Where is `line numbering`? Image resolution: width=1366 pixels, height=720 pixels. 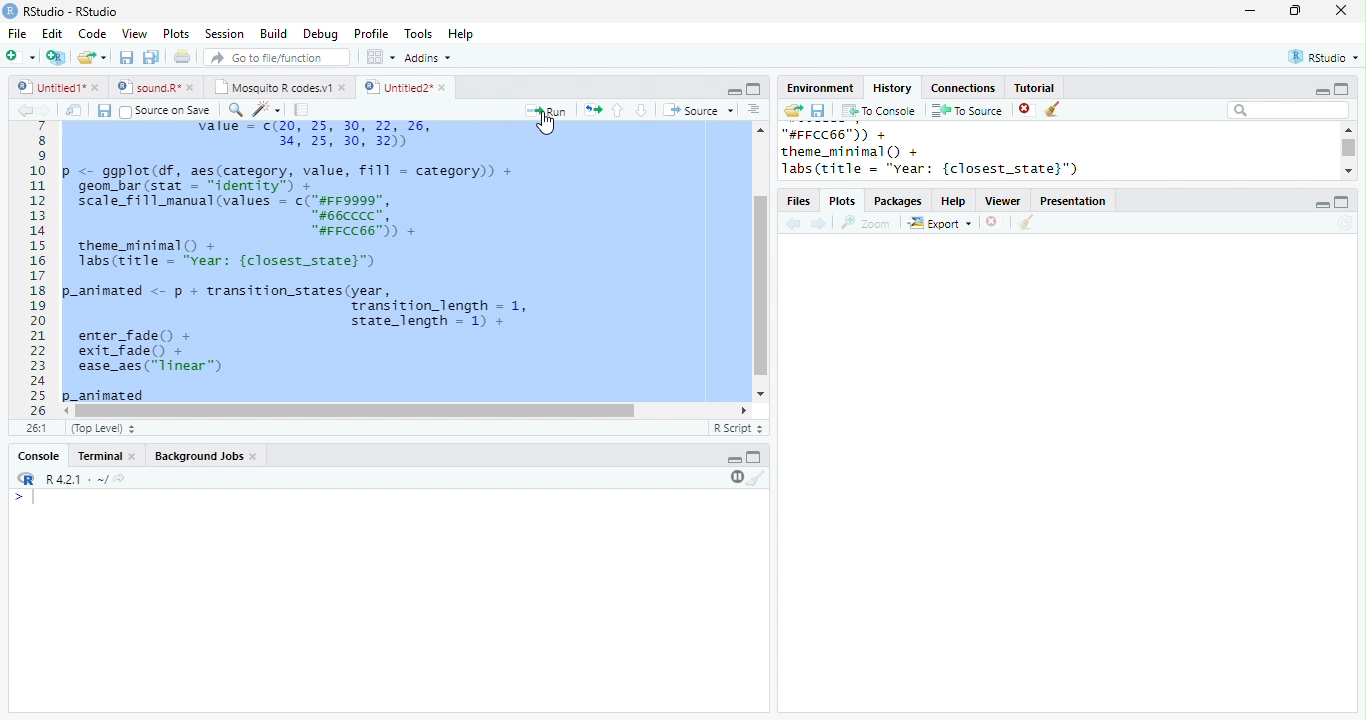
line numbering is located at coordinates (37, 271).